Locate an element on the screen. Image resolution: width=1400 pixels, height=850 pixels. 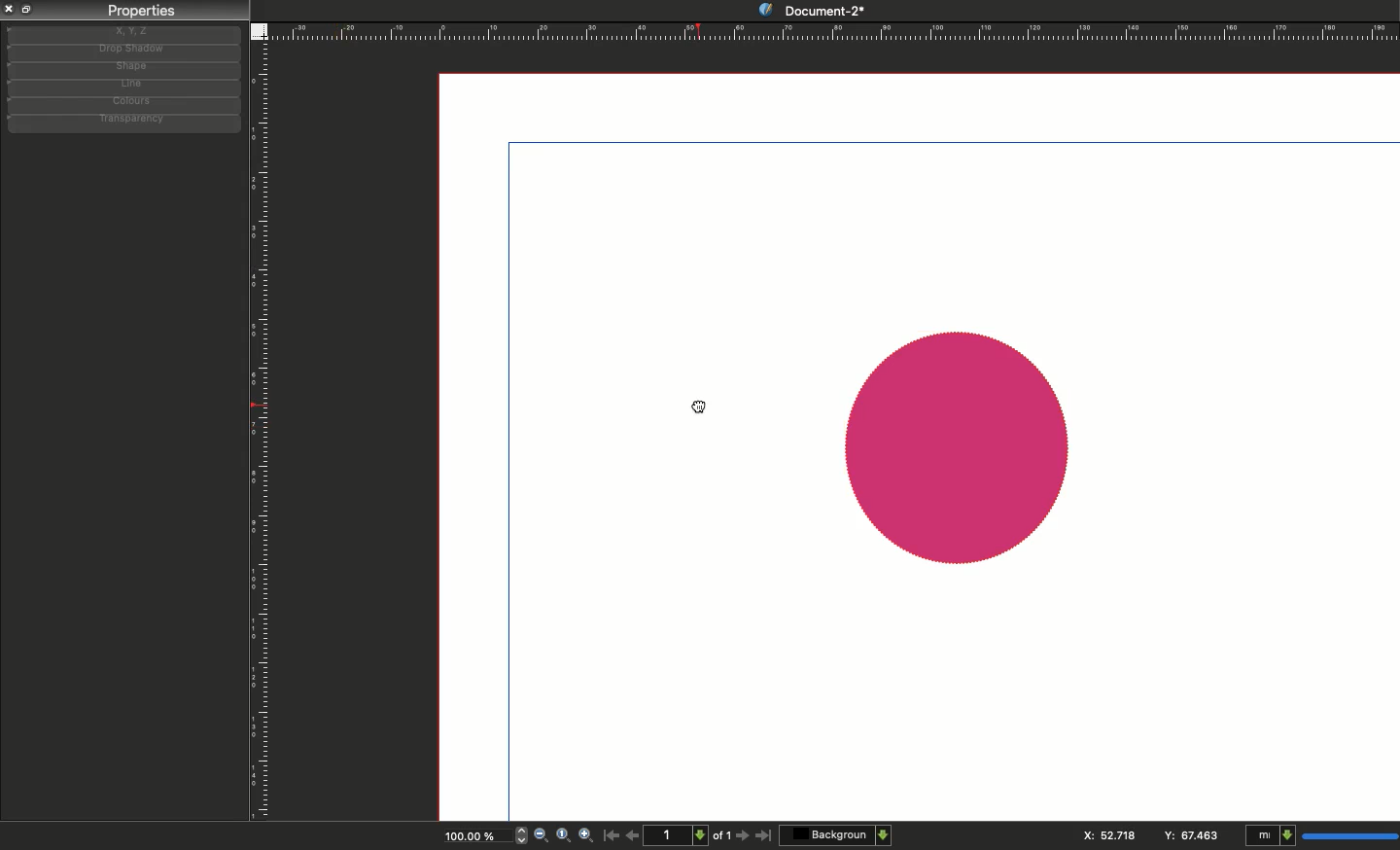
1 is located at coordinates (679, 834).